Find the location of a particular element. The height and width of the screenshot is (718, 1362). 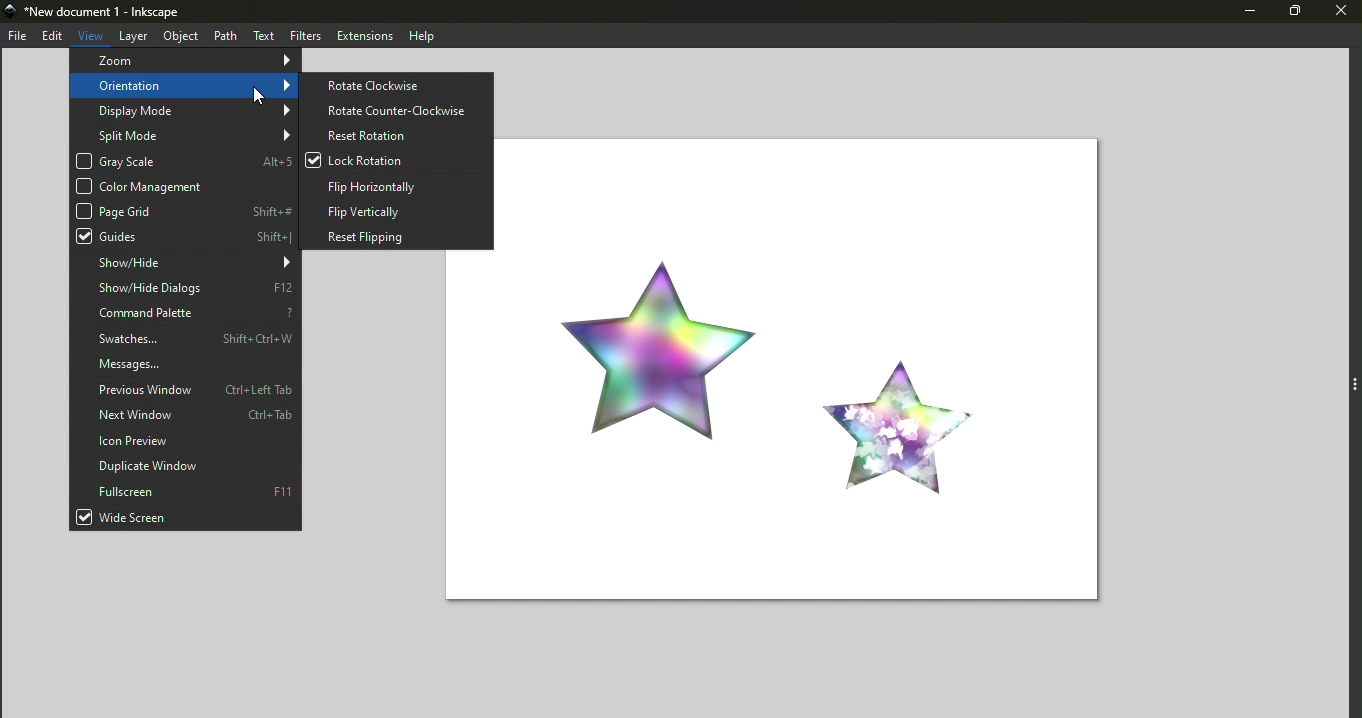

Duplicate window is located at coordinates (187, 465).